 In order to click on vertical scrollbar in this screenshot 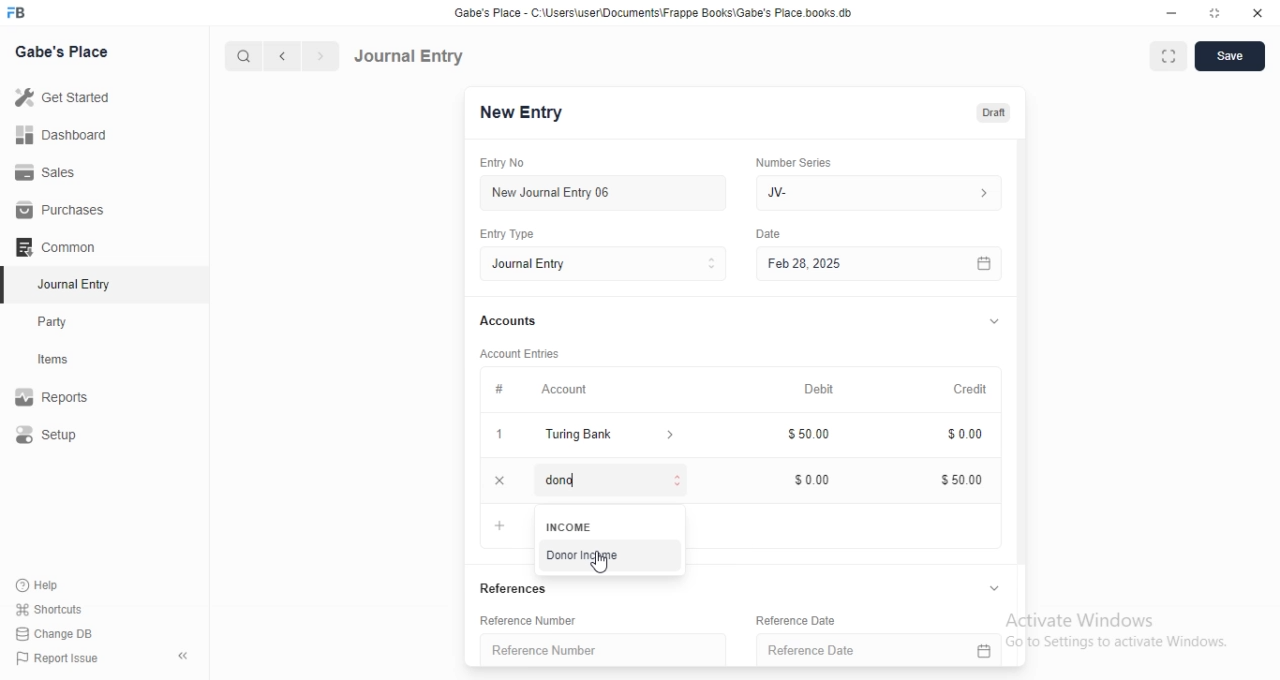, I will do `click(1022, 350)`.